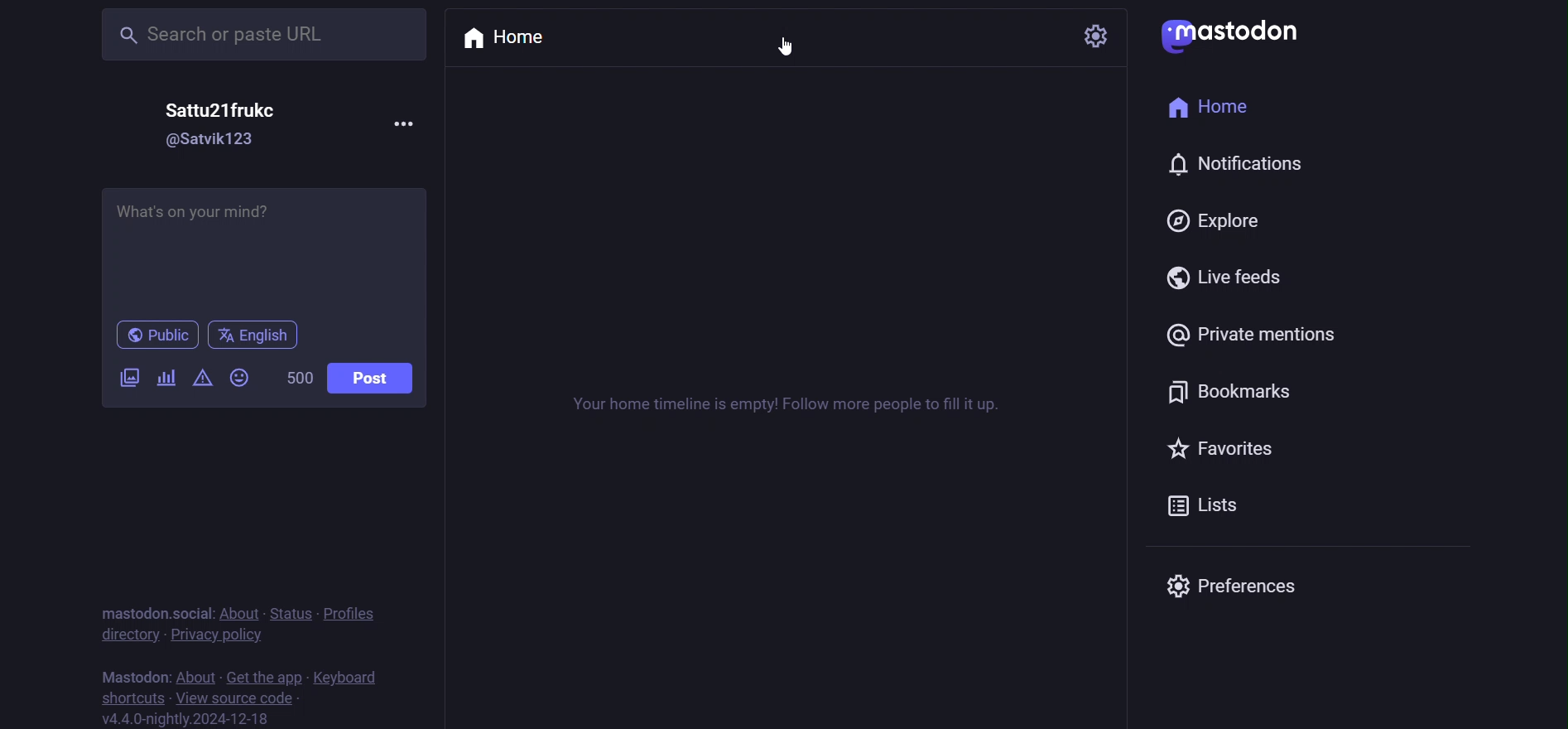 This screenshot has width=1568, height=729. What do you see at coordinates (1208, 503) in the screenshot?
I see `list` at bounding box center [1208, 503].